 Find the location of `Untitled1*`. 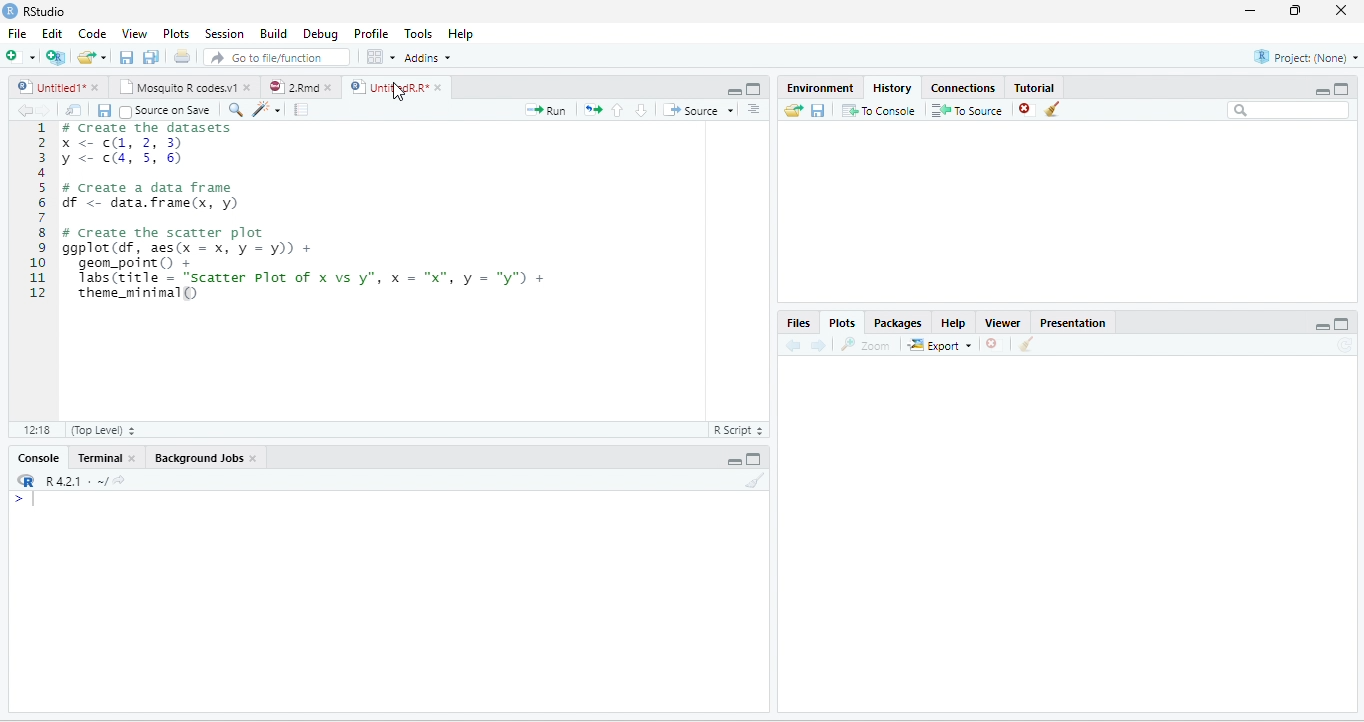

Untitled1* is located at coordinates (48, 87).